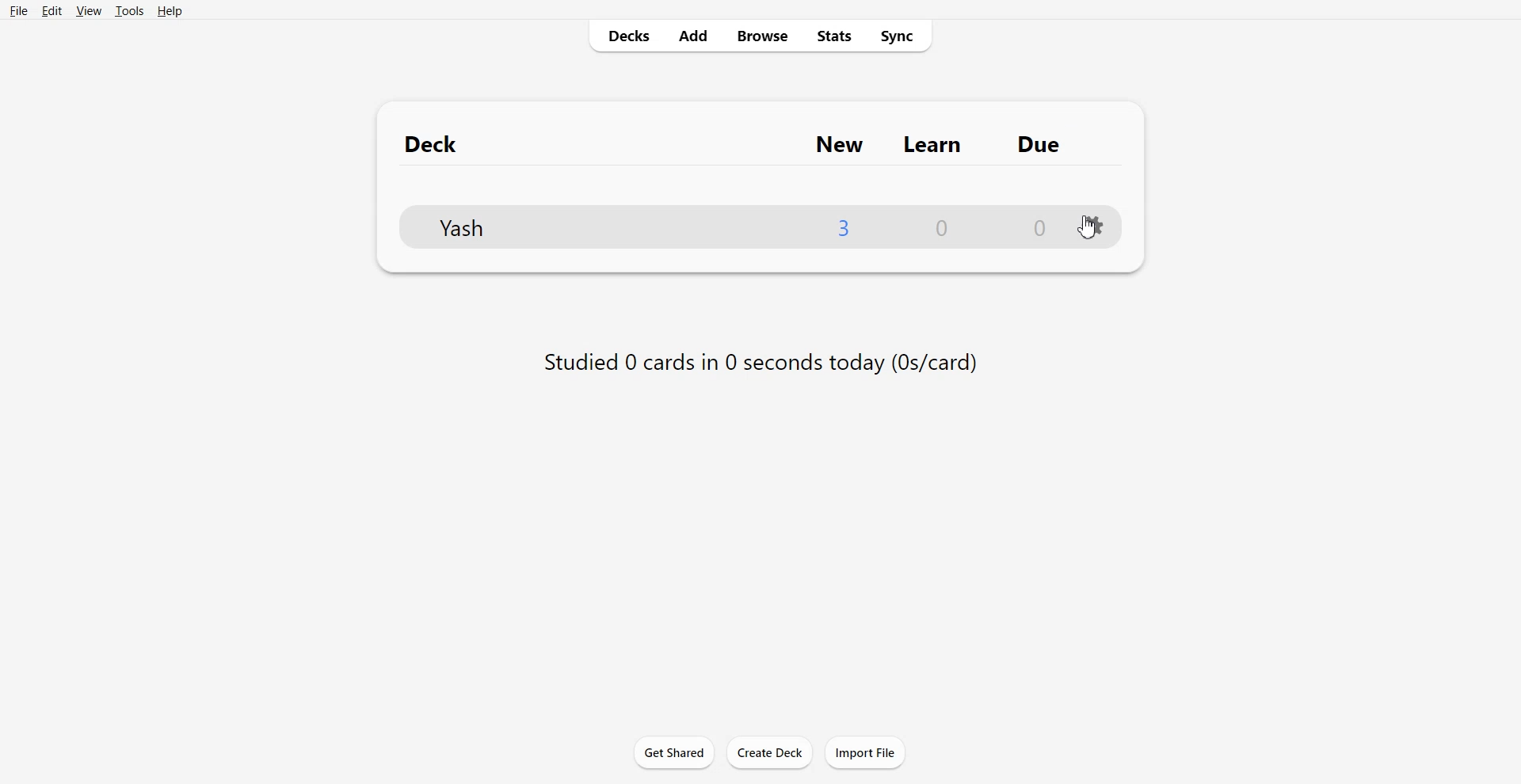  Describe the element at coordinates (19, 10) in the screenshot. I see `File` at that location.